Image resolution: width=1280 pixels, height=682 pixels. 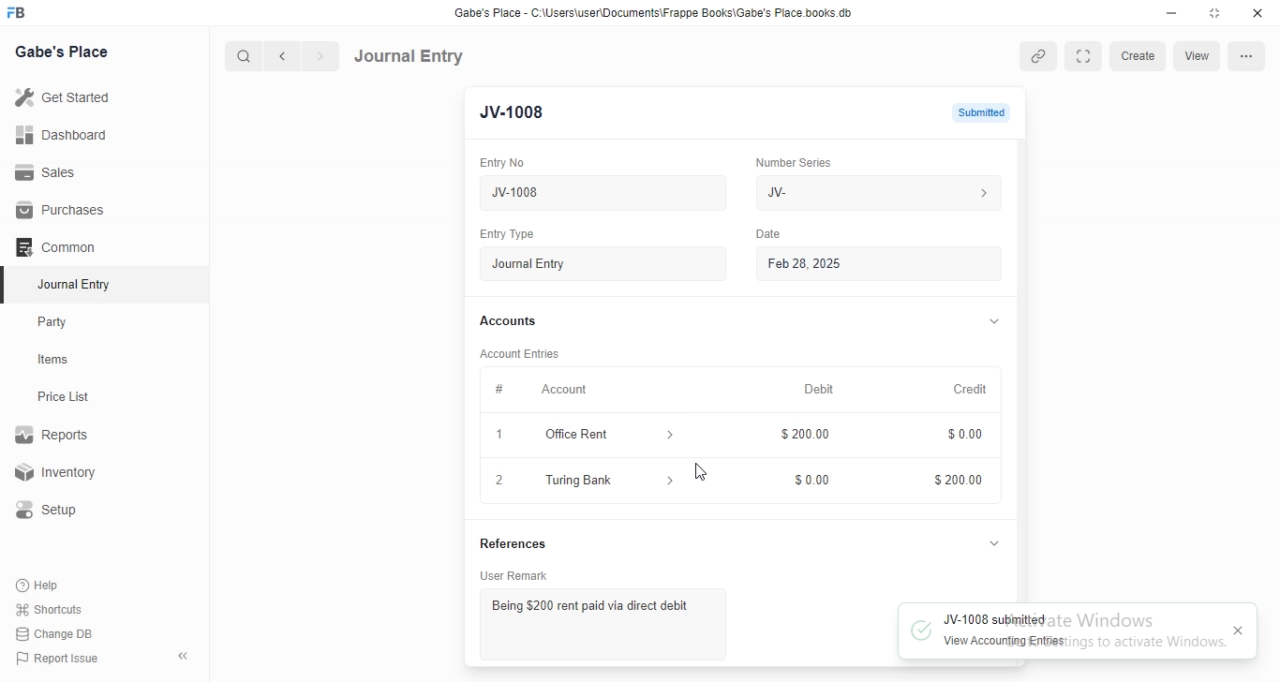 I want to click on search, so click(x=241, y=56).